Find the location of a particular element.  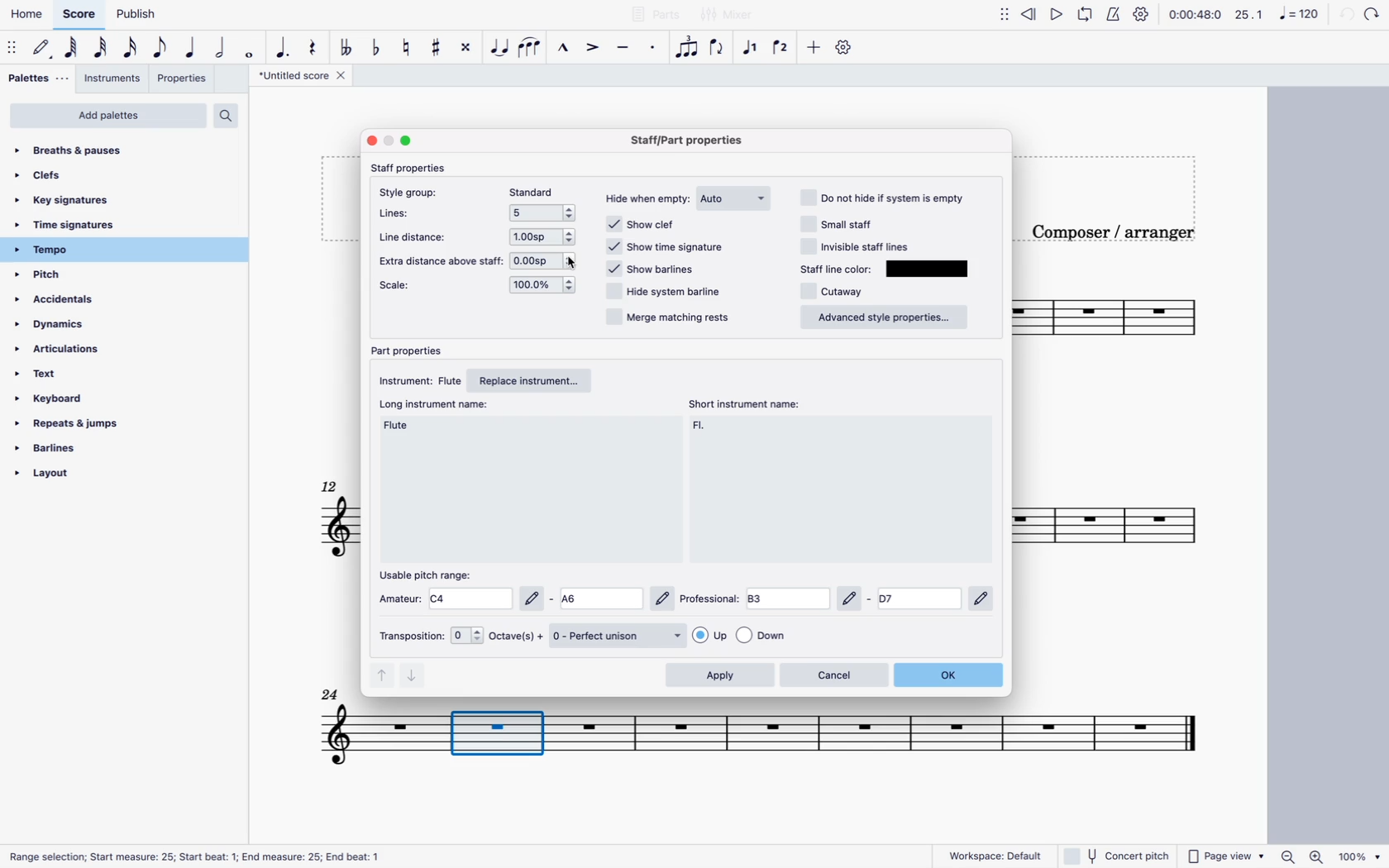

down is located at coordinates (415, 675).